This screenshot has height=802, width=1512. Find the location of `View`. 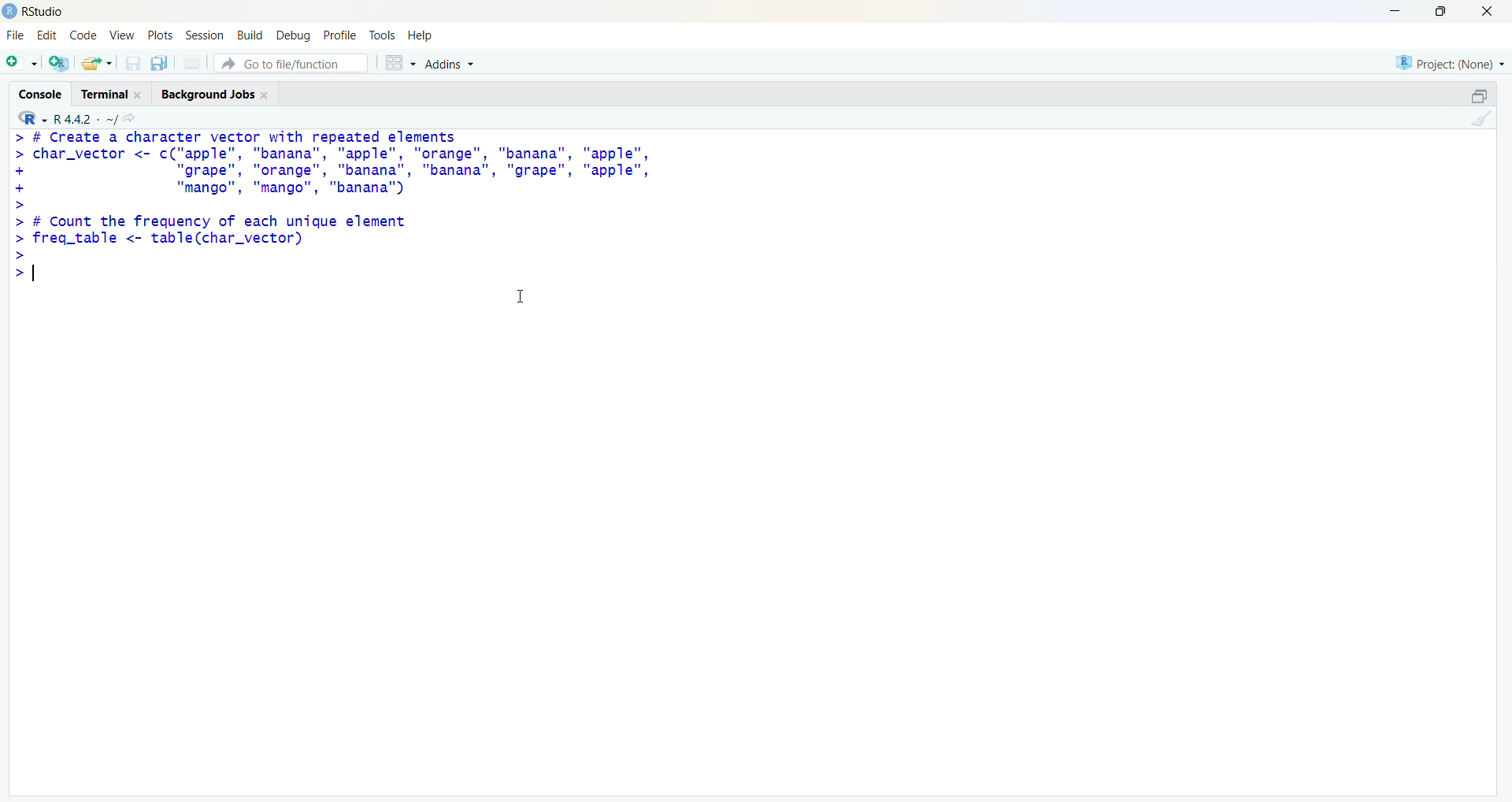

View is located at coordinates (124, 35).